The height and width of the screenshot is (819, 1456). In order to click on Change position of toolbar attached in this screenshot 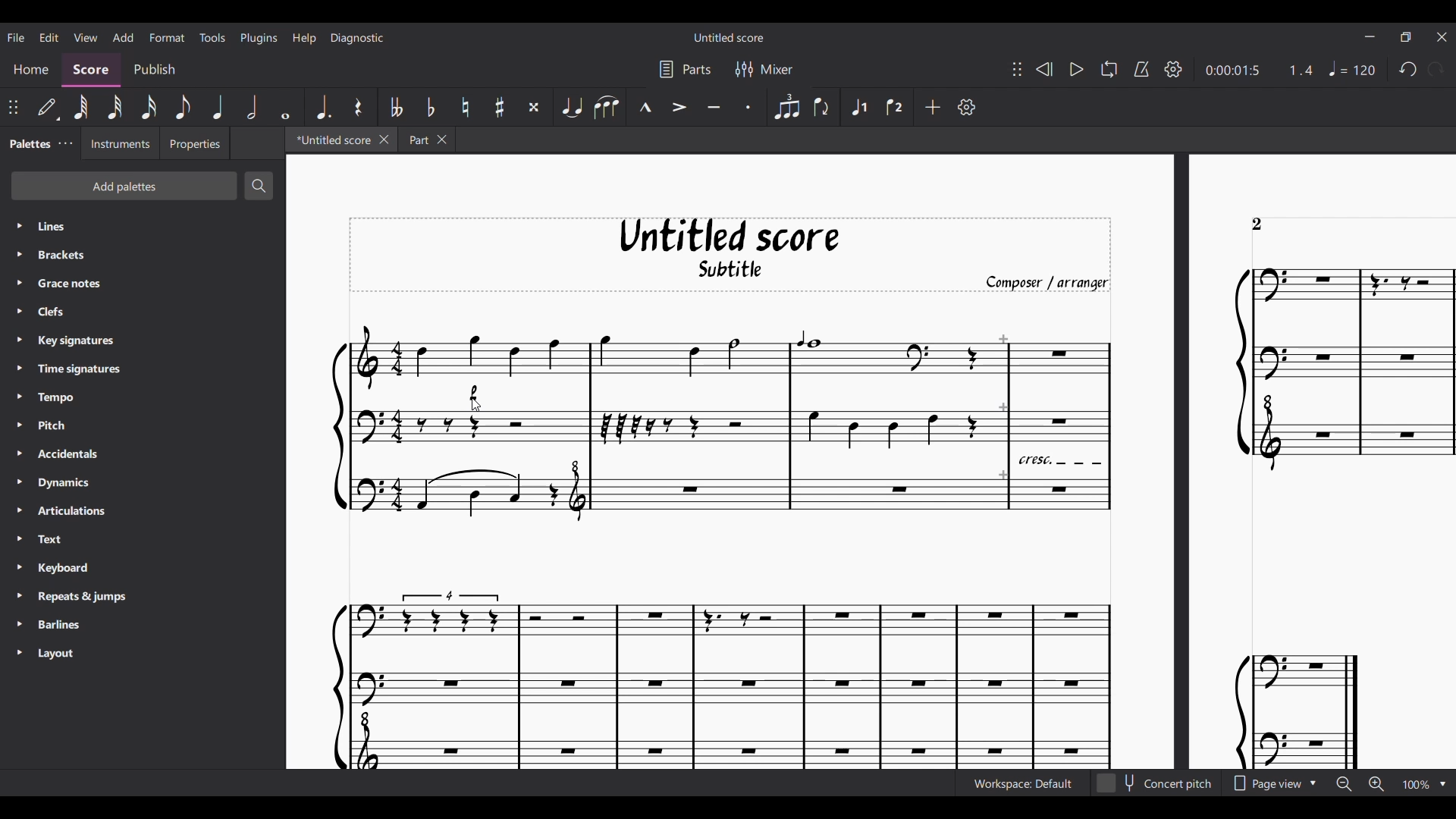, I will do `click(13, 107)`.